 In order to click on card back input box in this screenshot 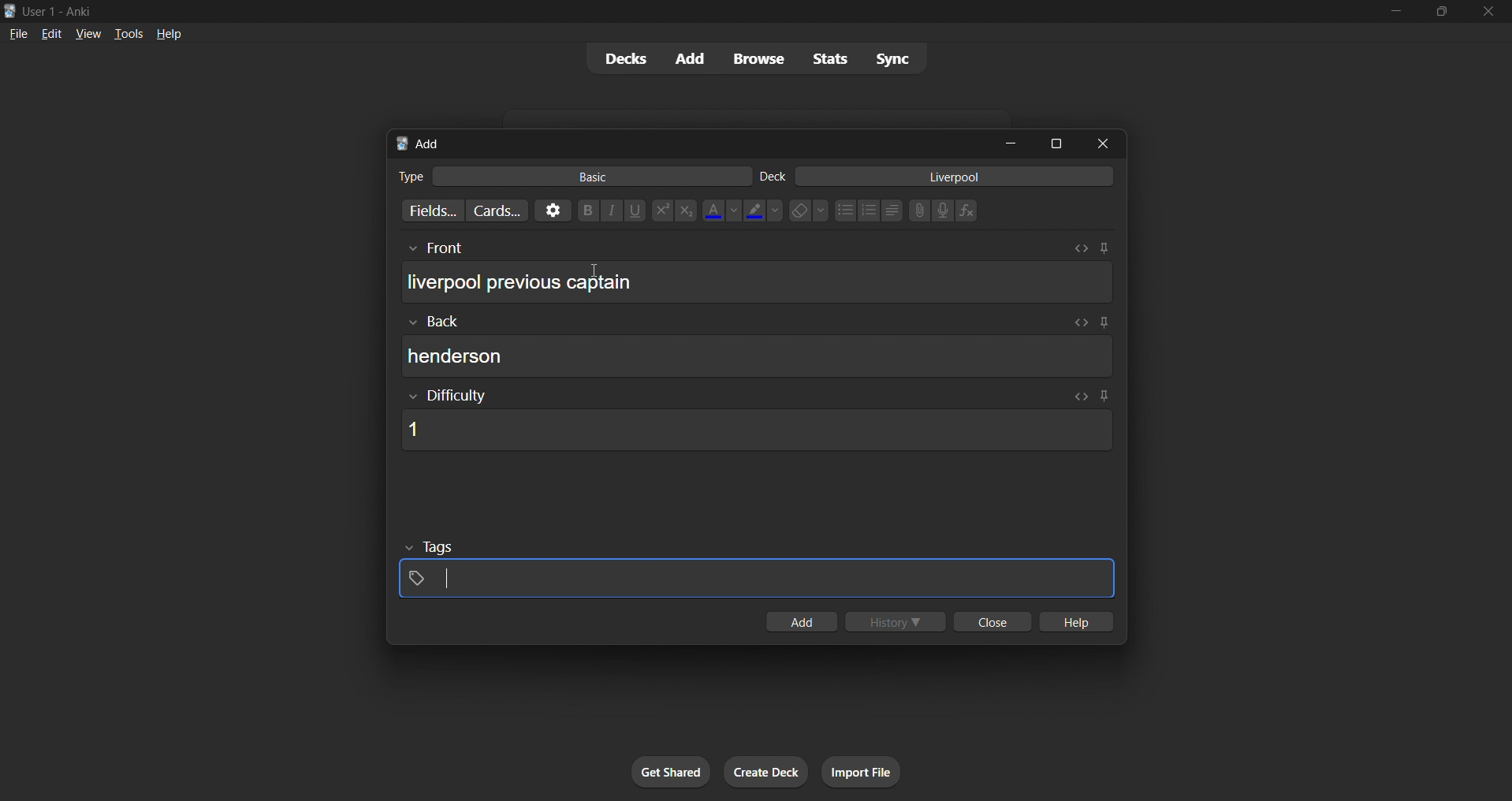, I will do `click(762, 348)`.